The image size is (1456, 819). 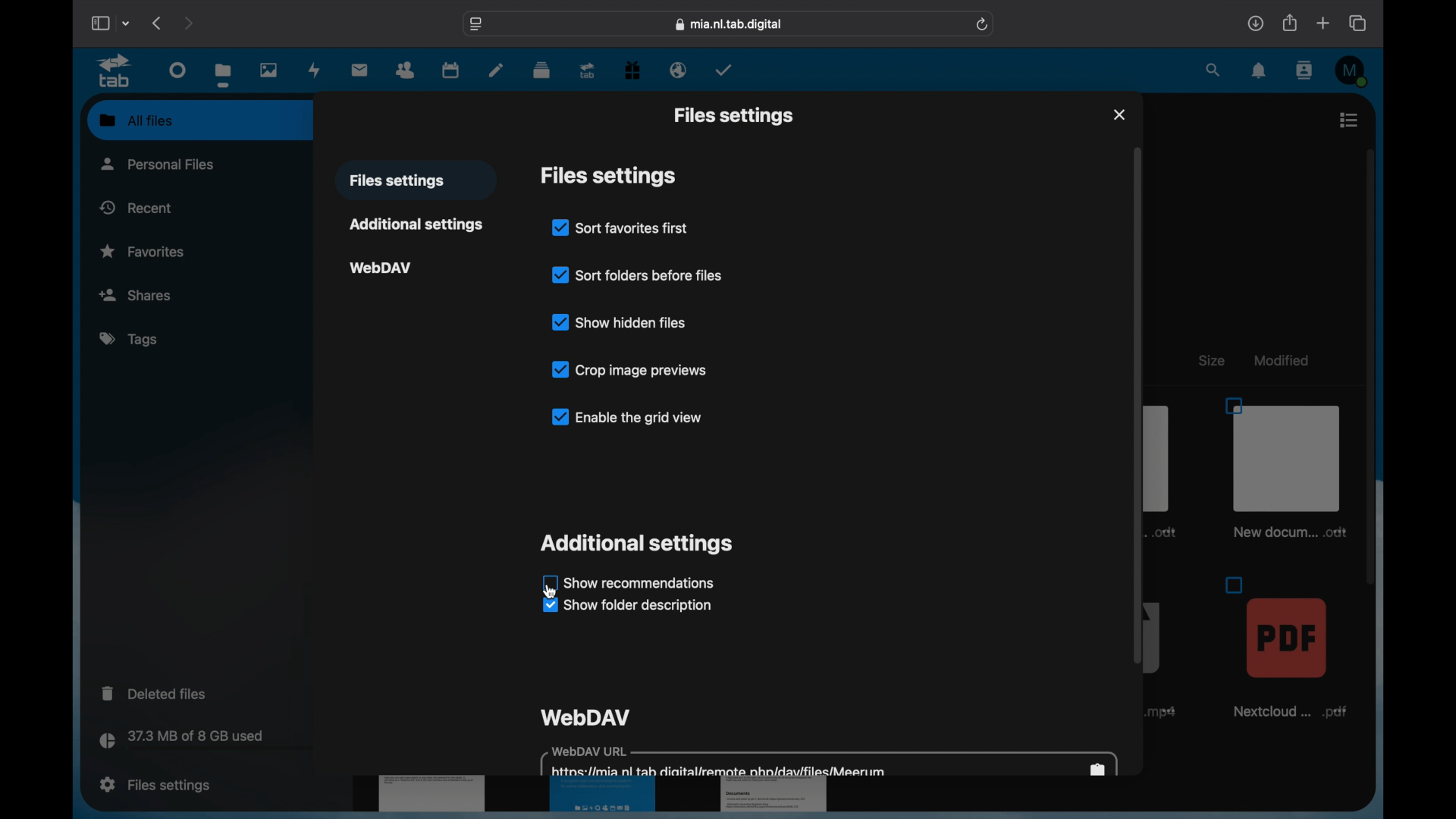 I want to click on sort favorites first, so click(x=620, y=228).